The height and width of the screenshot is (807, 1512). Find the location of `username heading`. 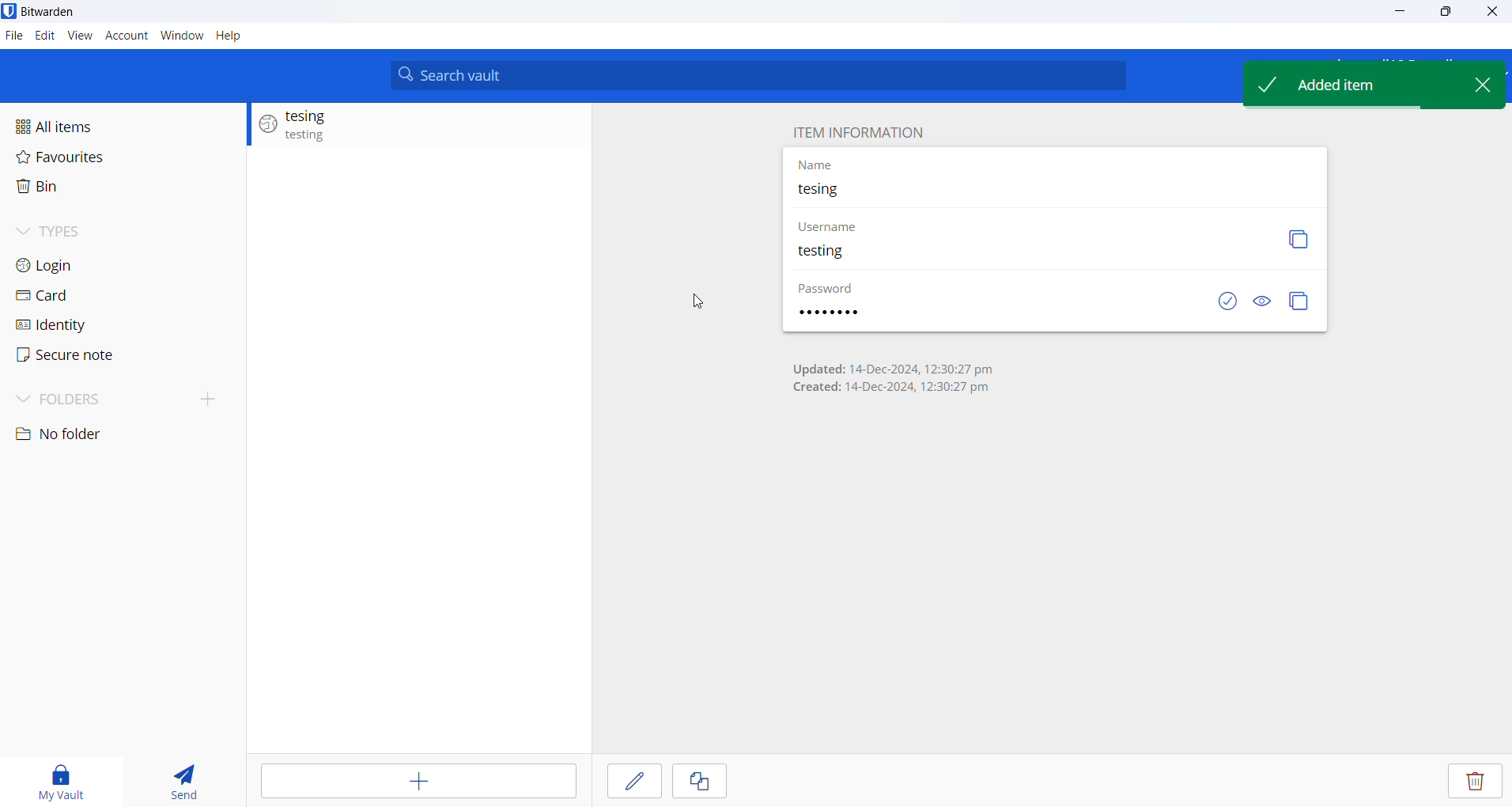

username heading is located at coordinates (830, 228).